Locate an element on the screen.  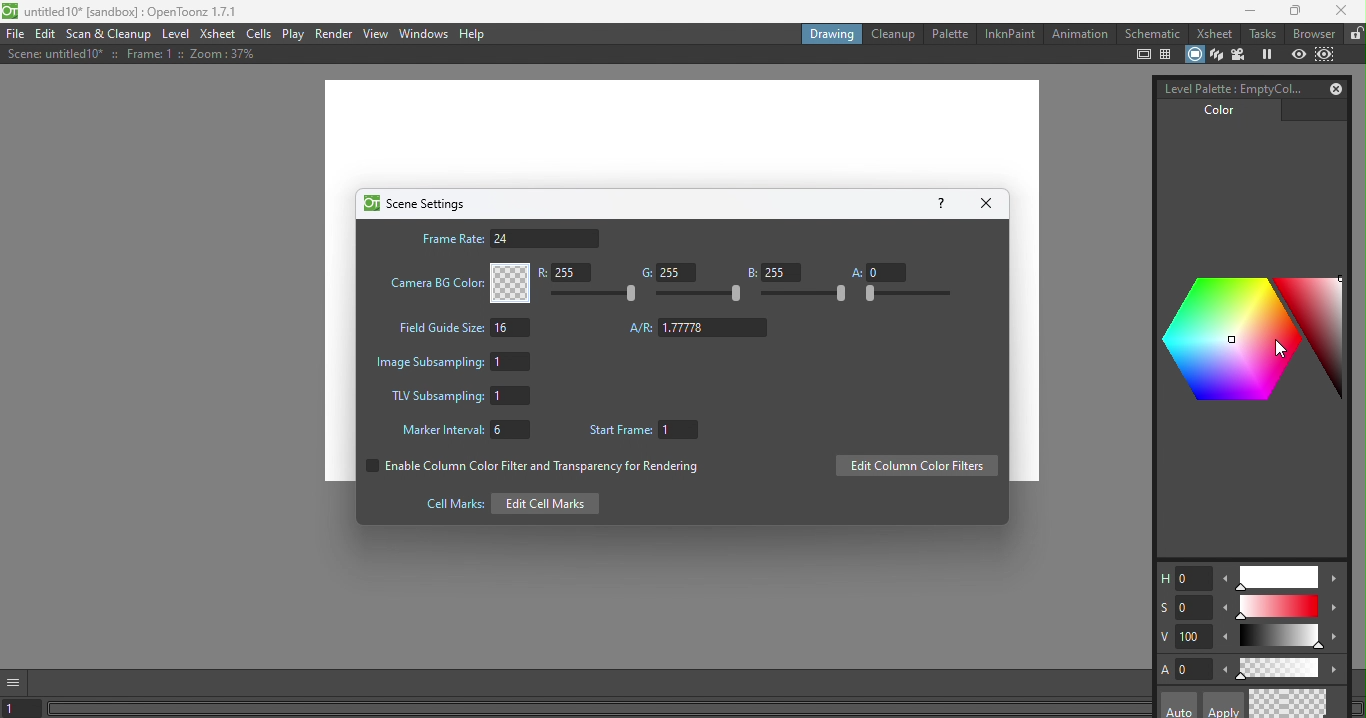
cursor is located at coordinates (1284, 348).